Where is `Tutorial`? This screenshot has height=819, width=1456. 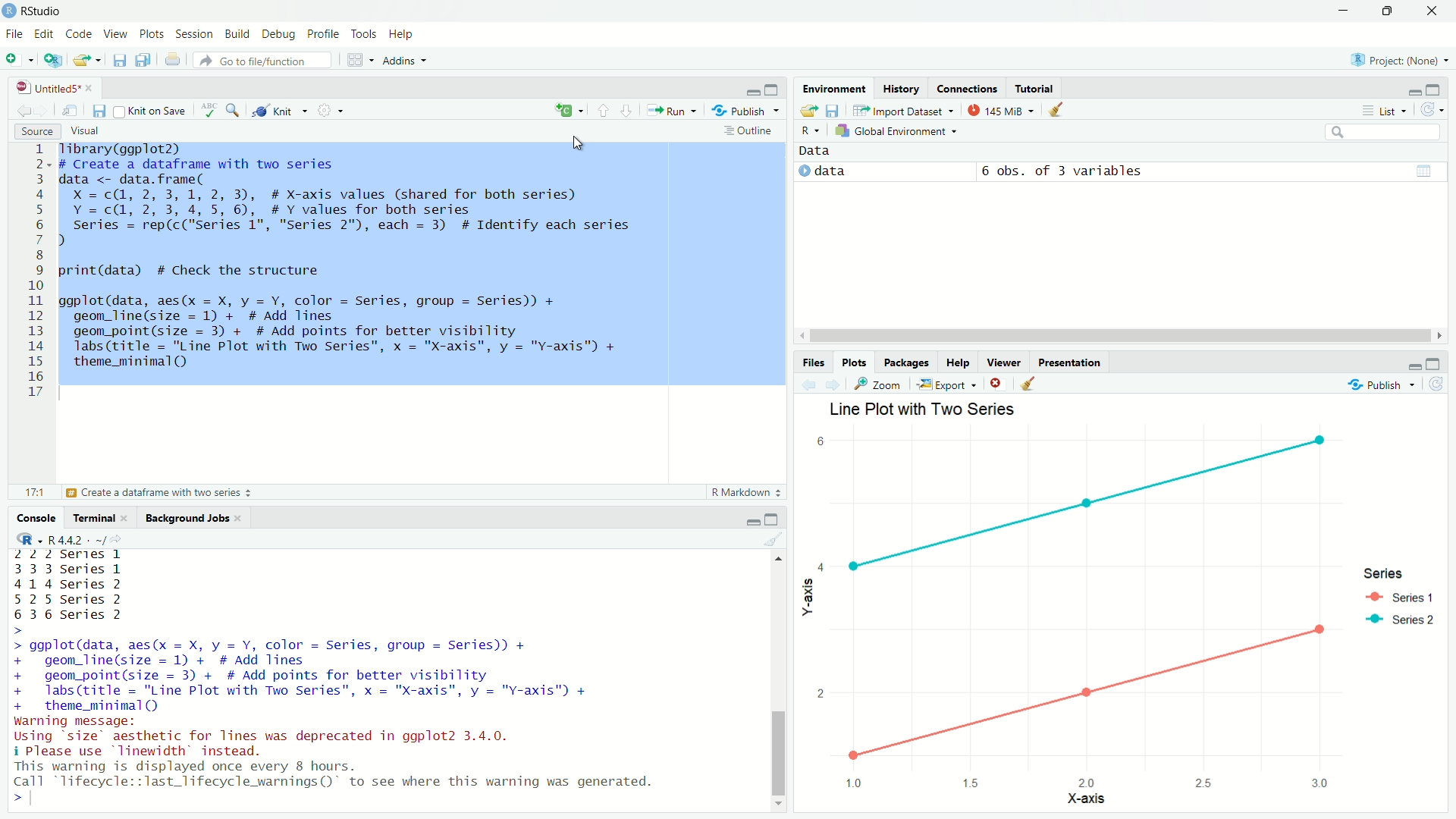 Tutorial is located at coordinates (1033, 87).